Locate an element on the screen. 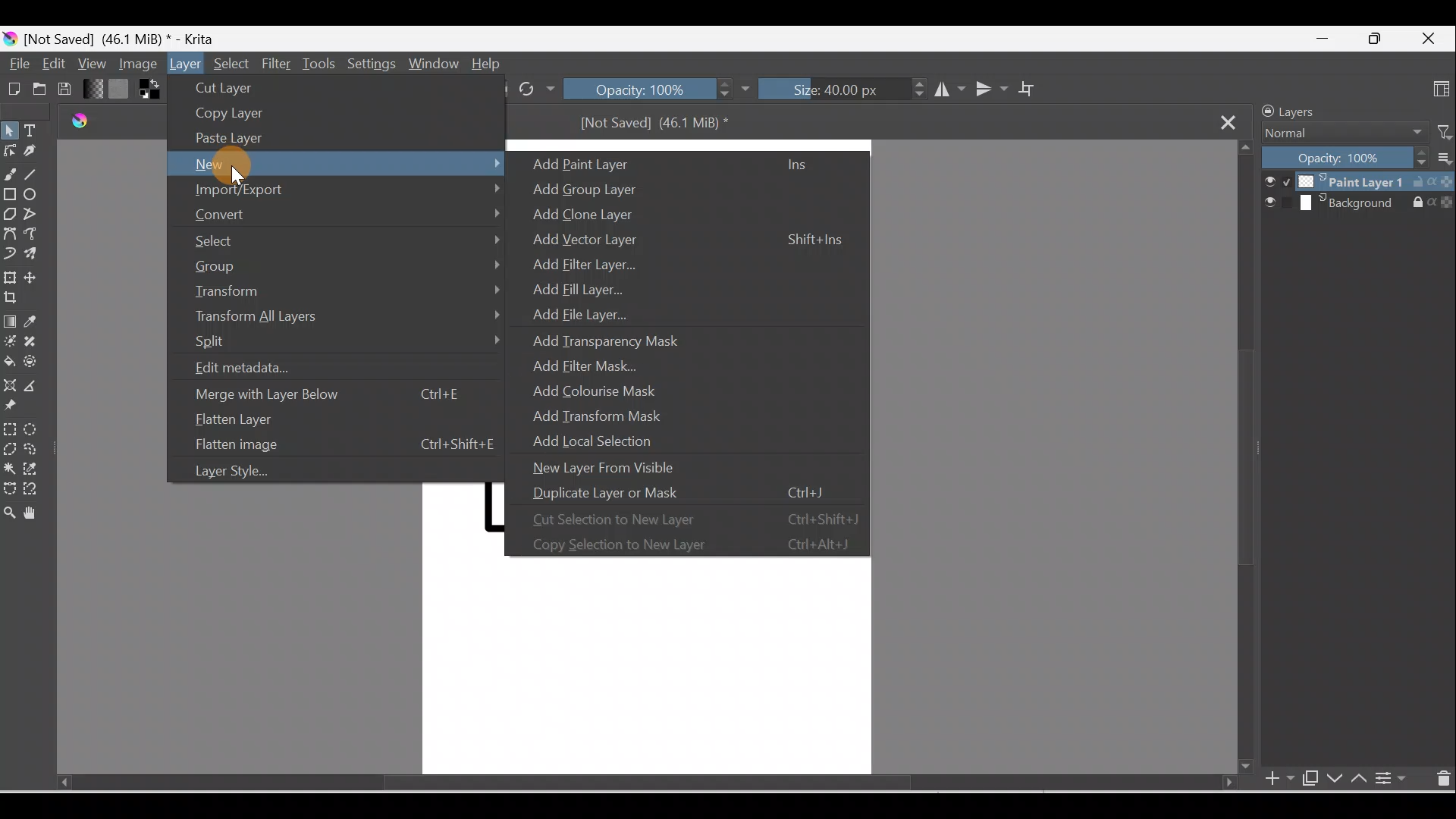 Image resolution: width=1456 pixels, height=819 pixels. Polyline tool is located at coordinates (37, 216).